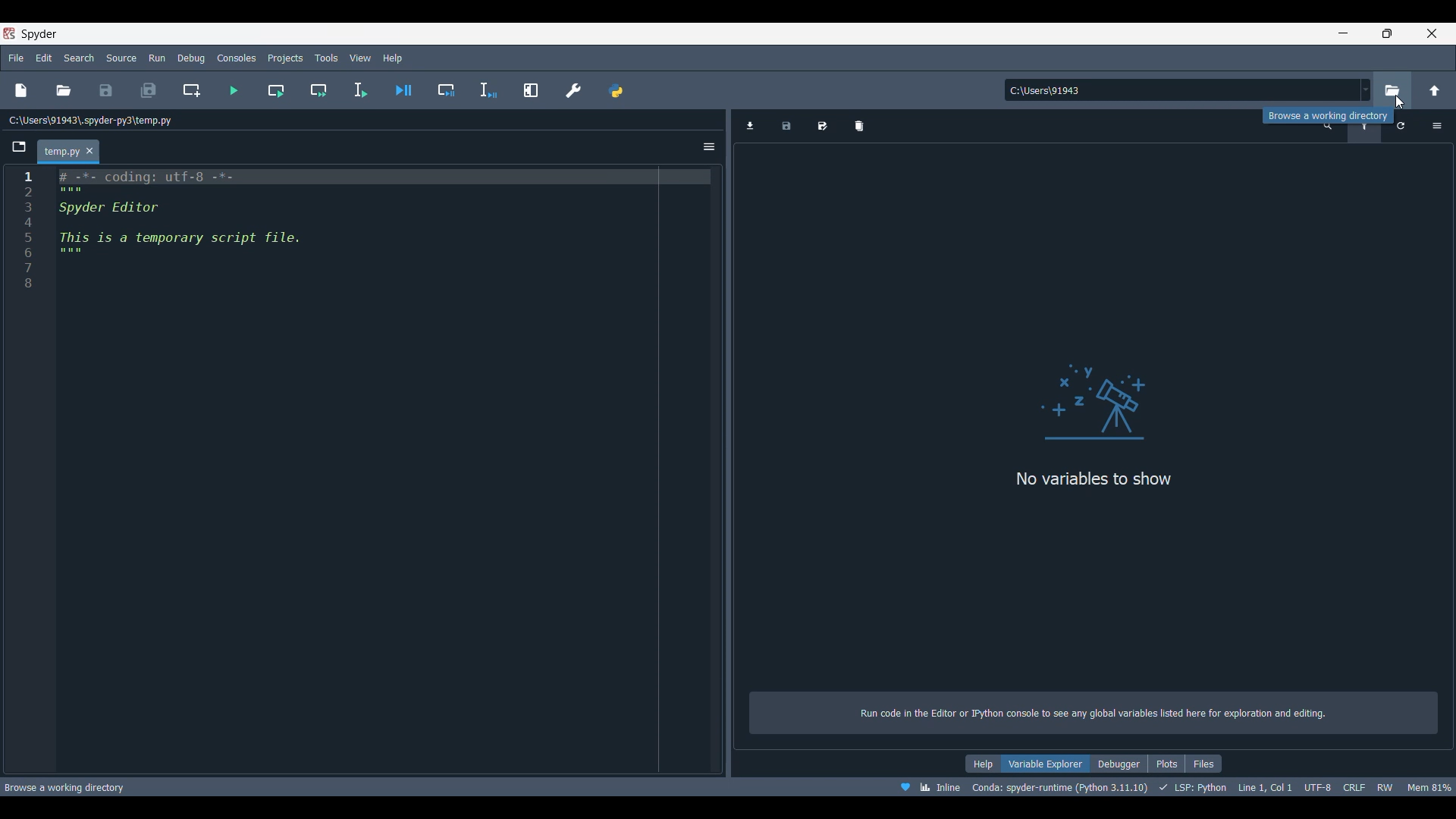 This screenshot has width=1456, height=819. Describe the element at coordinates (1437, 126) in the screenshot. I see `Options` at that location.